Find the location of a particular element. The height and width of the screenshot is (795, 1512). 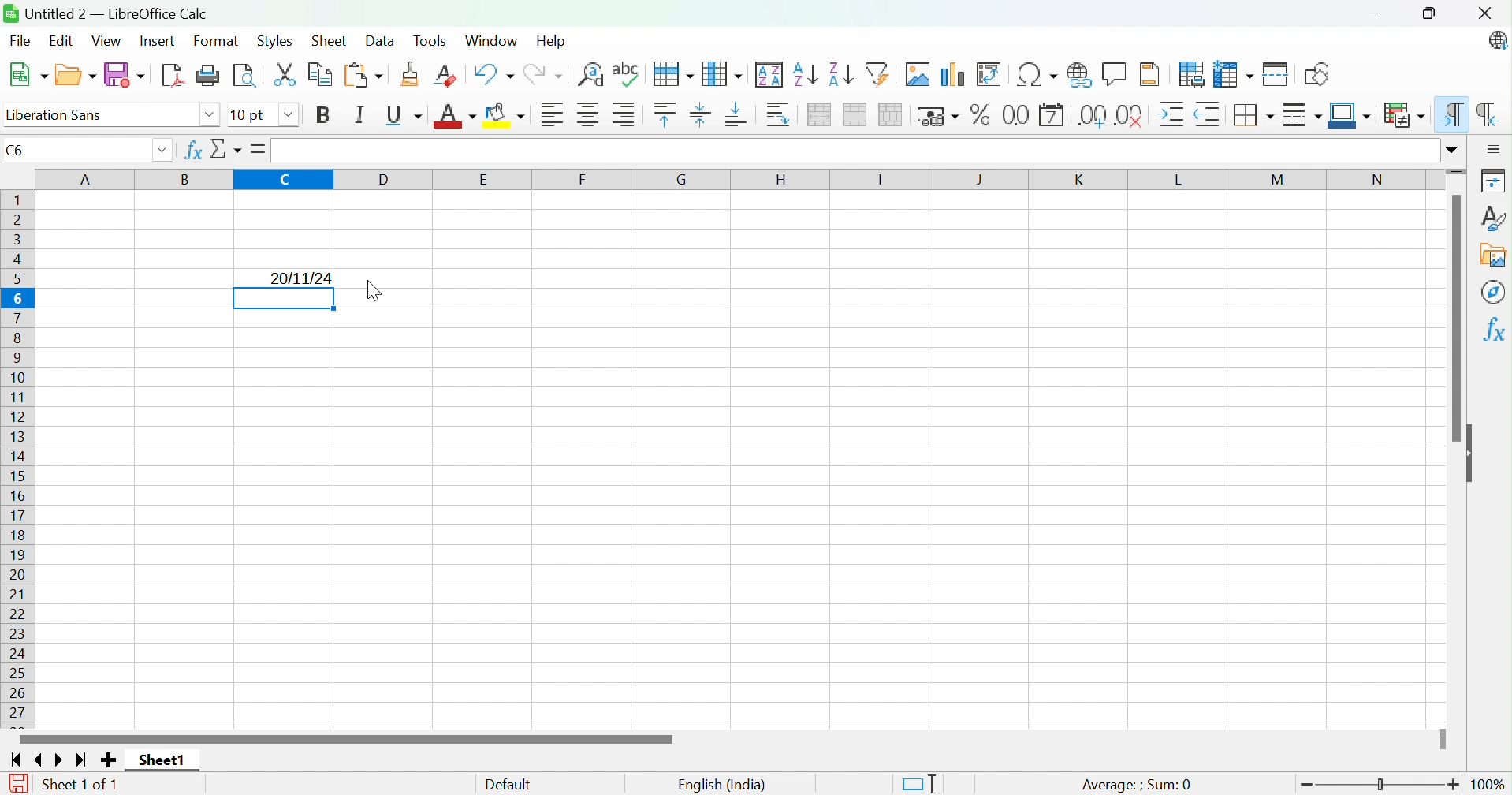

Right-to-left is located at coordinates (1488, 115).